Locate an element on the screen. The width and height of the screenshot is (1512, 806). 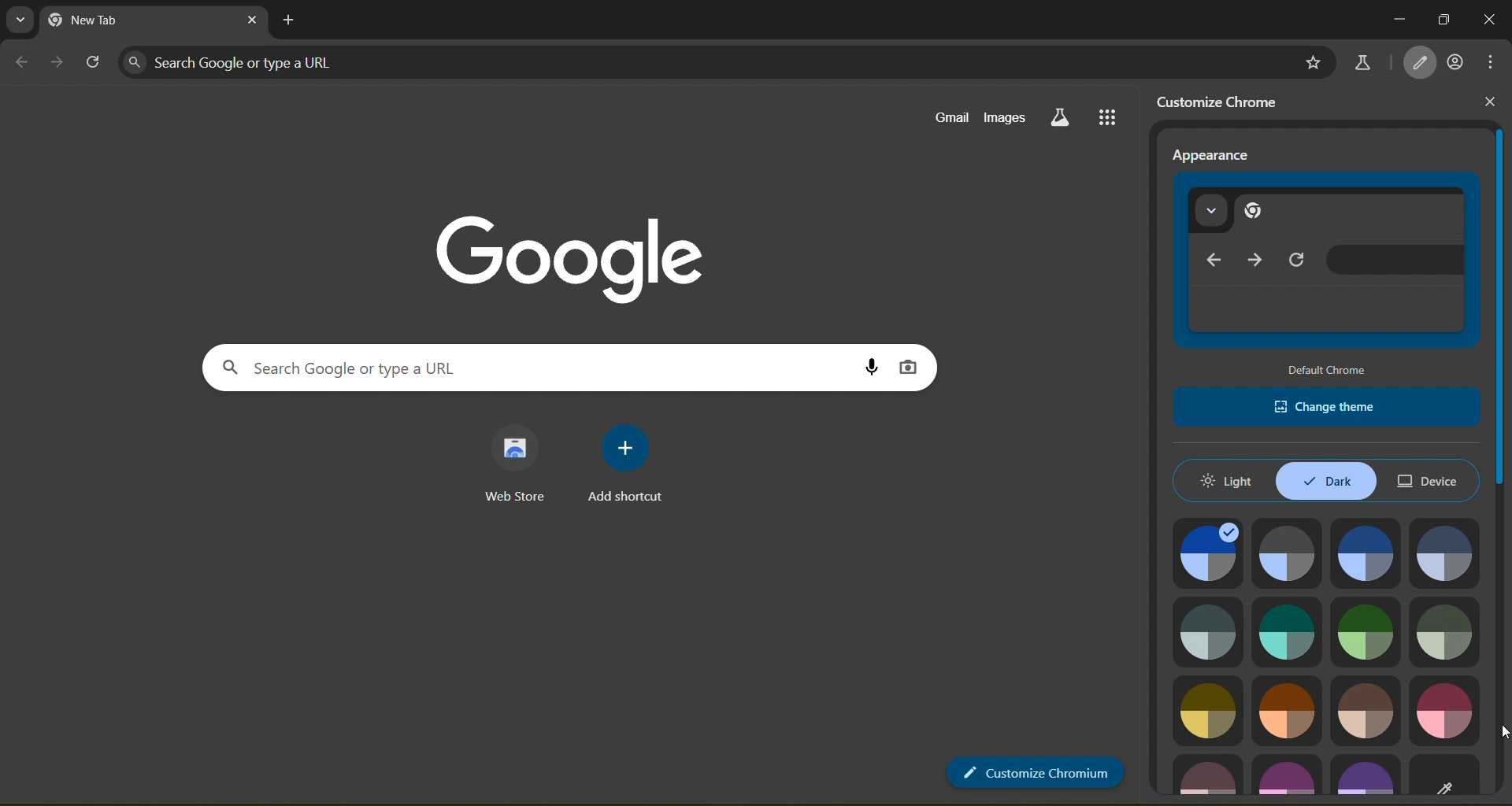
image is located at coordinates (1444, 632).